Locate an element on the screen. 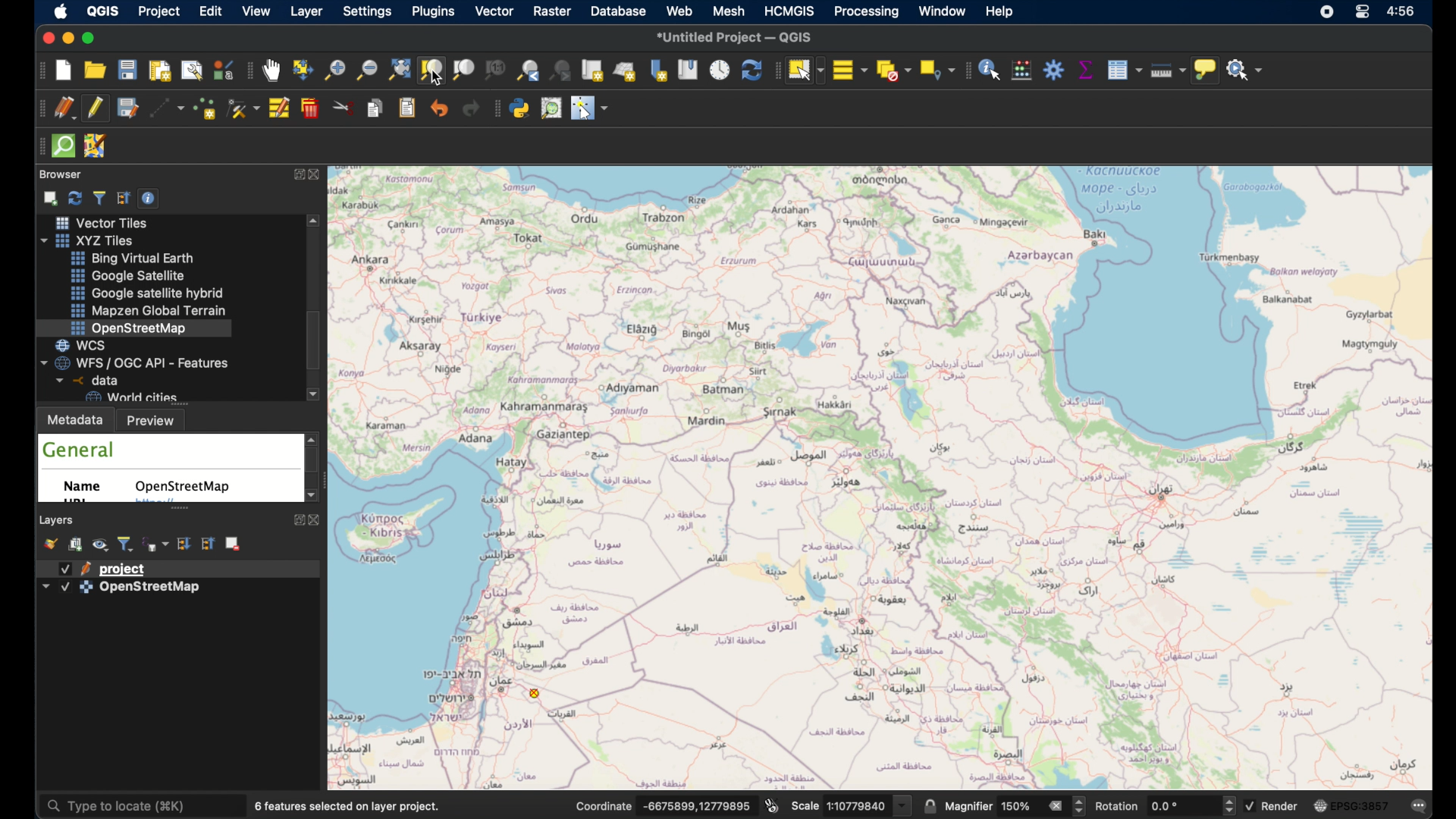 This screenshot has height=819, width=1456. window is located at coordinates (943, 12).